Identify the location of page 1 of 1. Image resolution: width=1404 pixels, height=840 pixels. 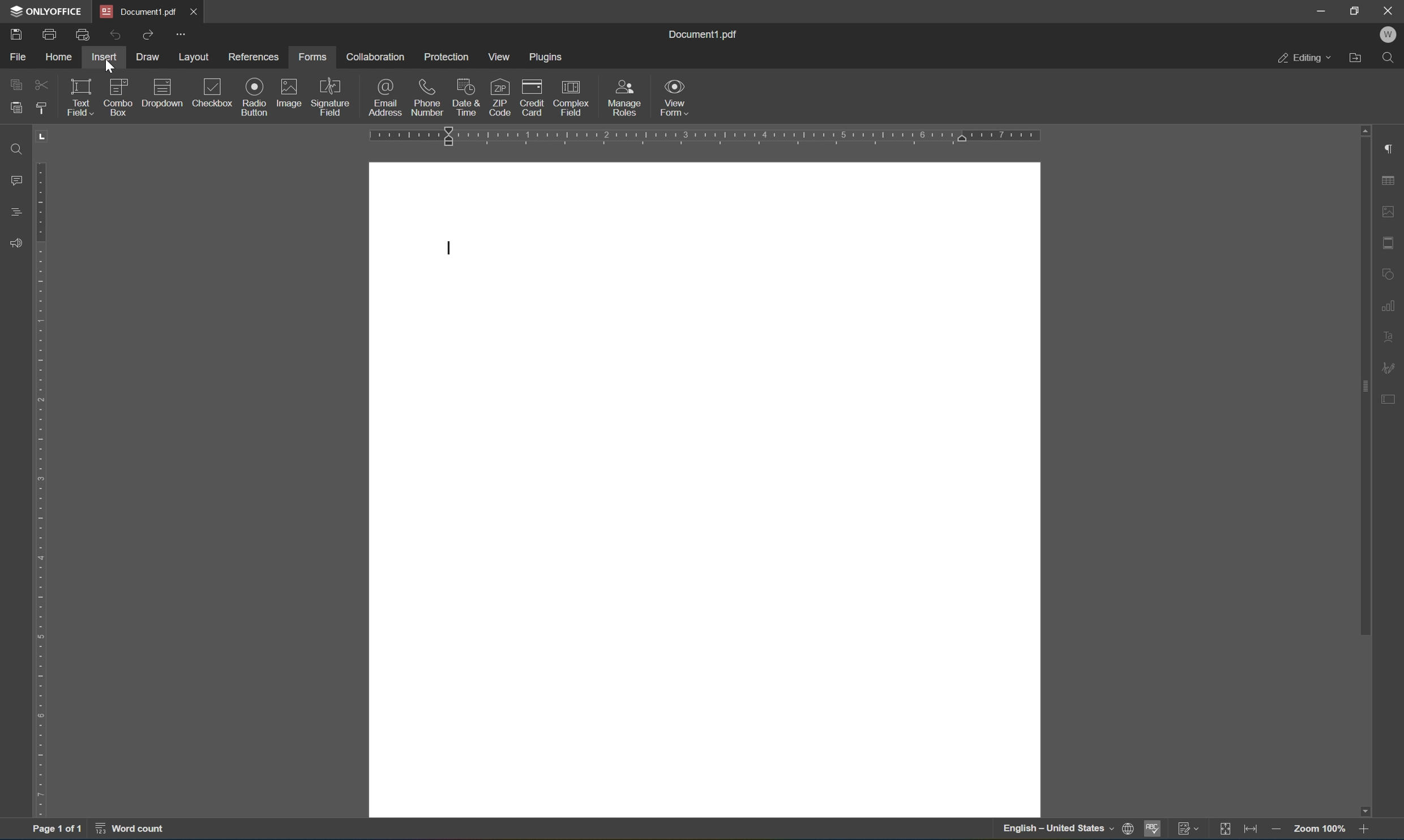
(59, 826).